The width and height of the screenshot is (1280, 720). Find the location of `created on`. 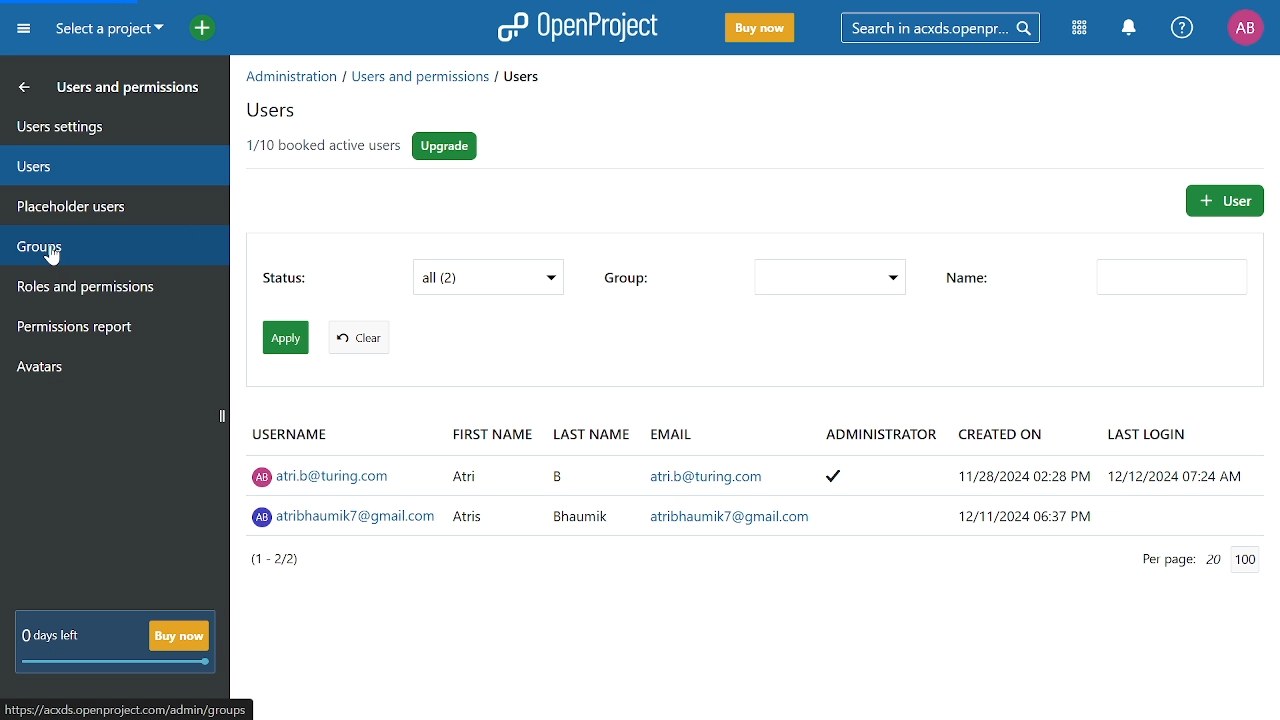

created on is located at coordinates (1000, 433).